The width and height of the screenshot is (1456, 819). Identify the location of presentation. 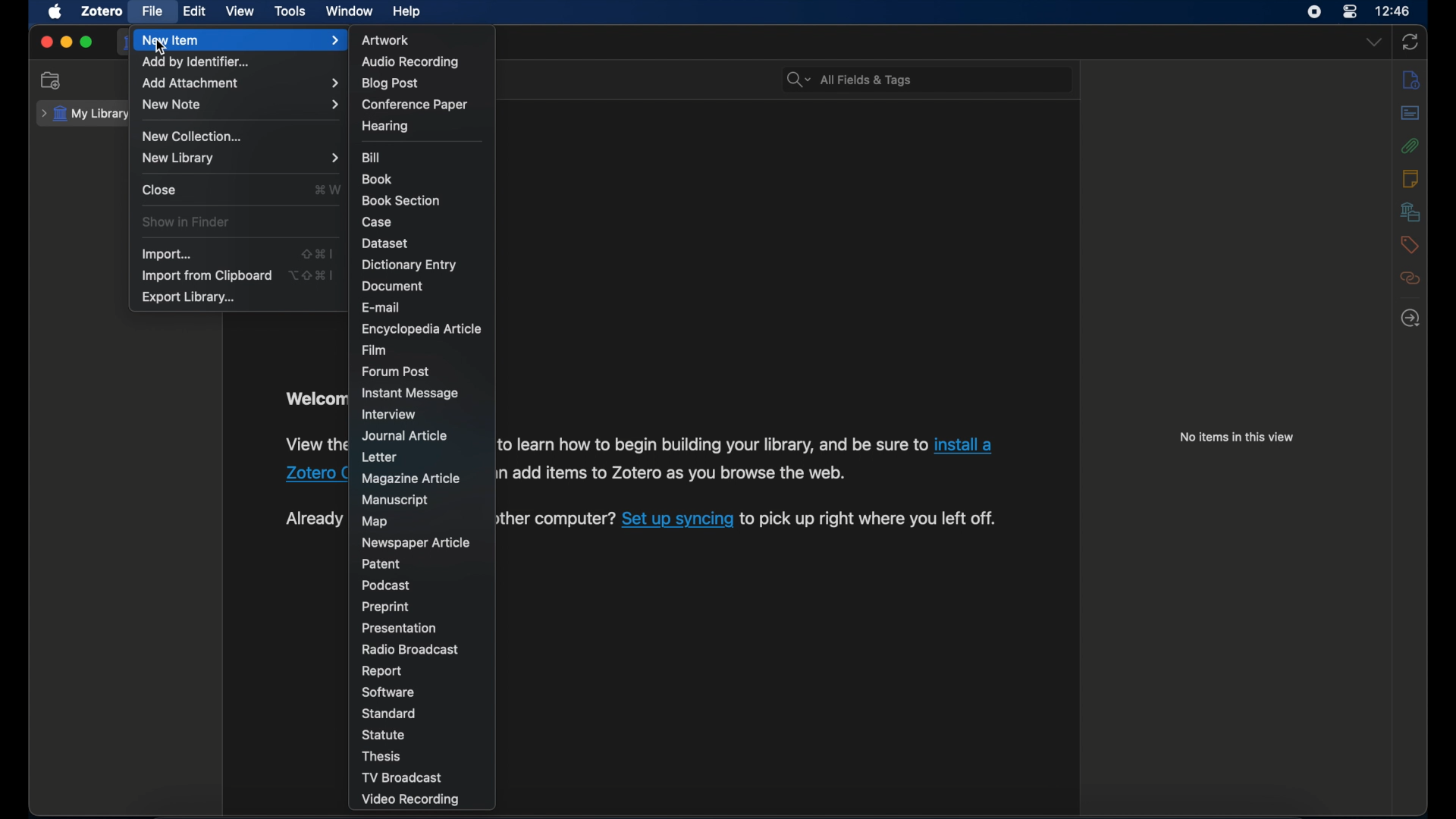
(400, 628).